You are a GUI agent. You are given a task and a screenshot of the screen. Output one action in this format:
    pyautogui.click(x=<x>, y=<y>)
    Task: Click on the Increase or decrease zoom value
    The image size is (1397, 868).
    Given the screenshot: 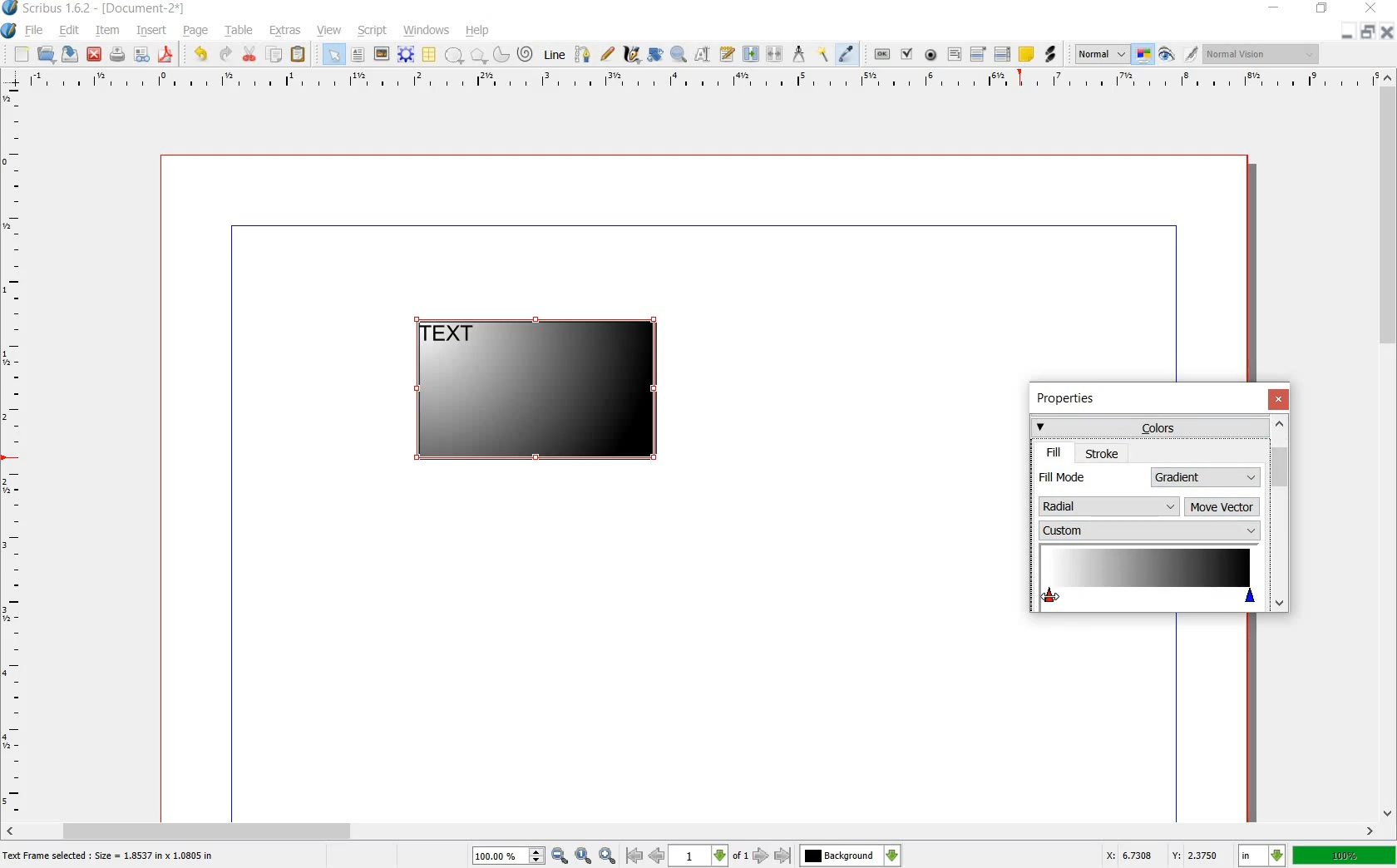 What is the action you would take?
    pyautogui.click(x=537, y=856)
    